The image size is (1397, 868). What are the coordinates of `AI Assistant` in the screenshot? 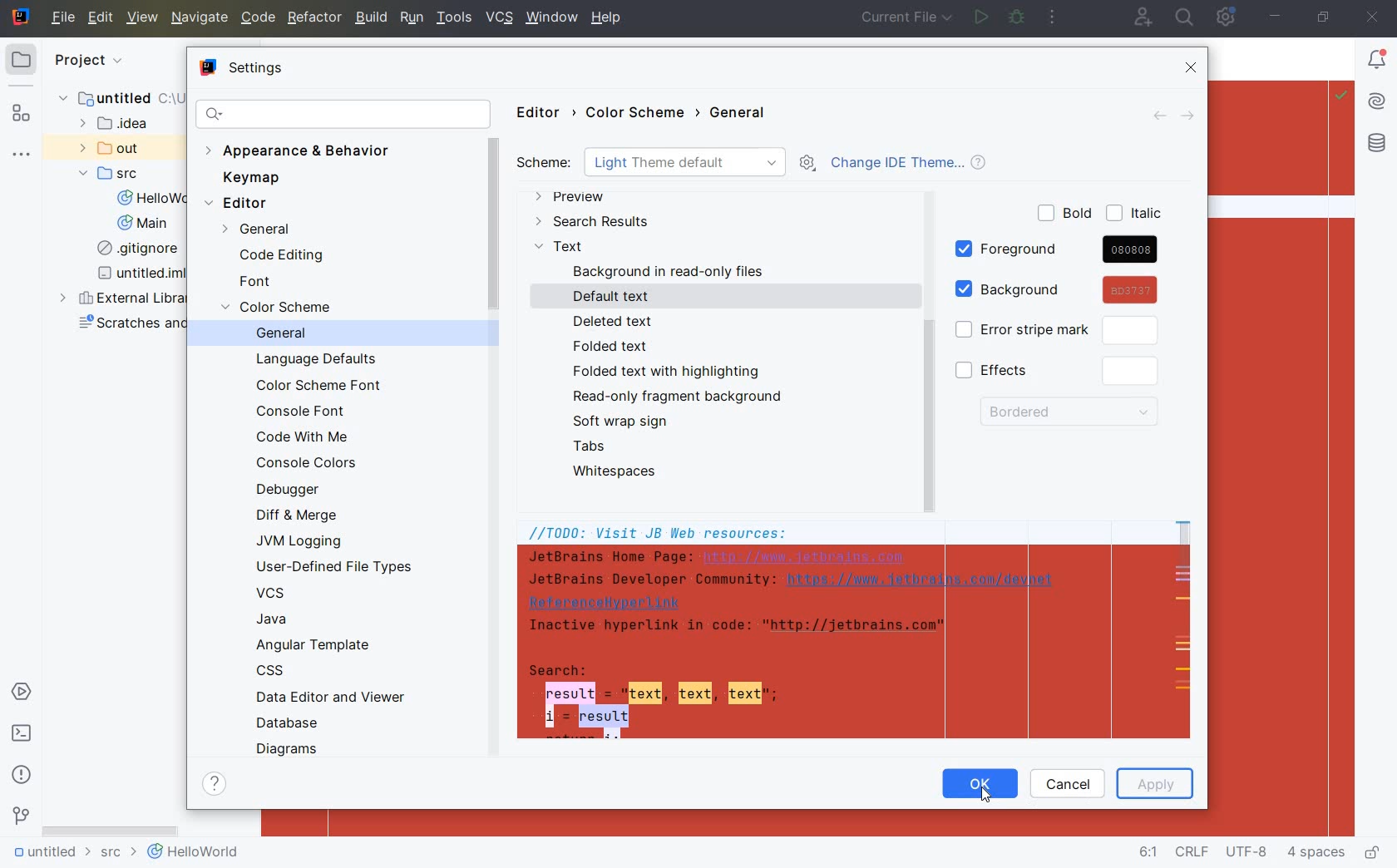 It's located at (1377, 104).